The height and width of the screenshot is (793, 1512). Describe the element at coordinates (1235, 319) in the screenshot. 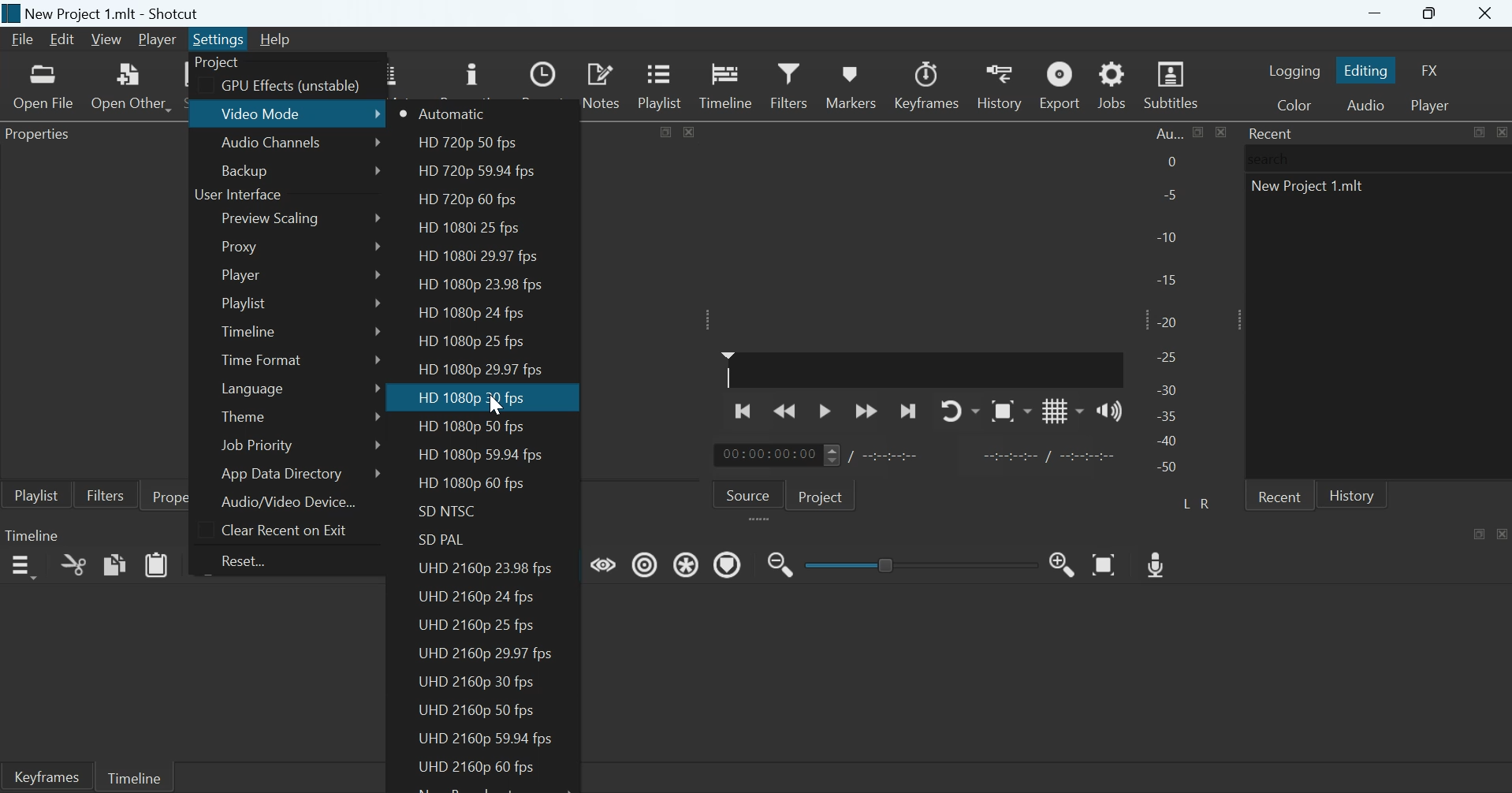

I see `Expand` at that location.